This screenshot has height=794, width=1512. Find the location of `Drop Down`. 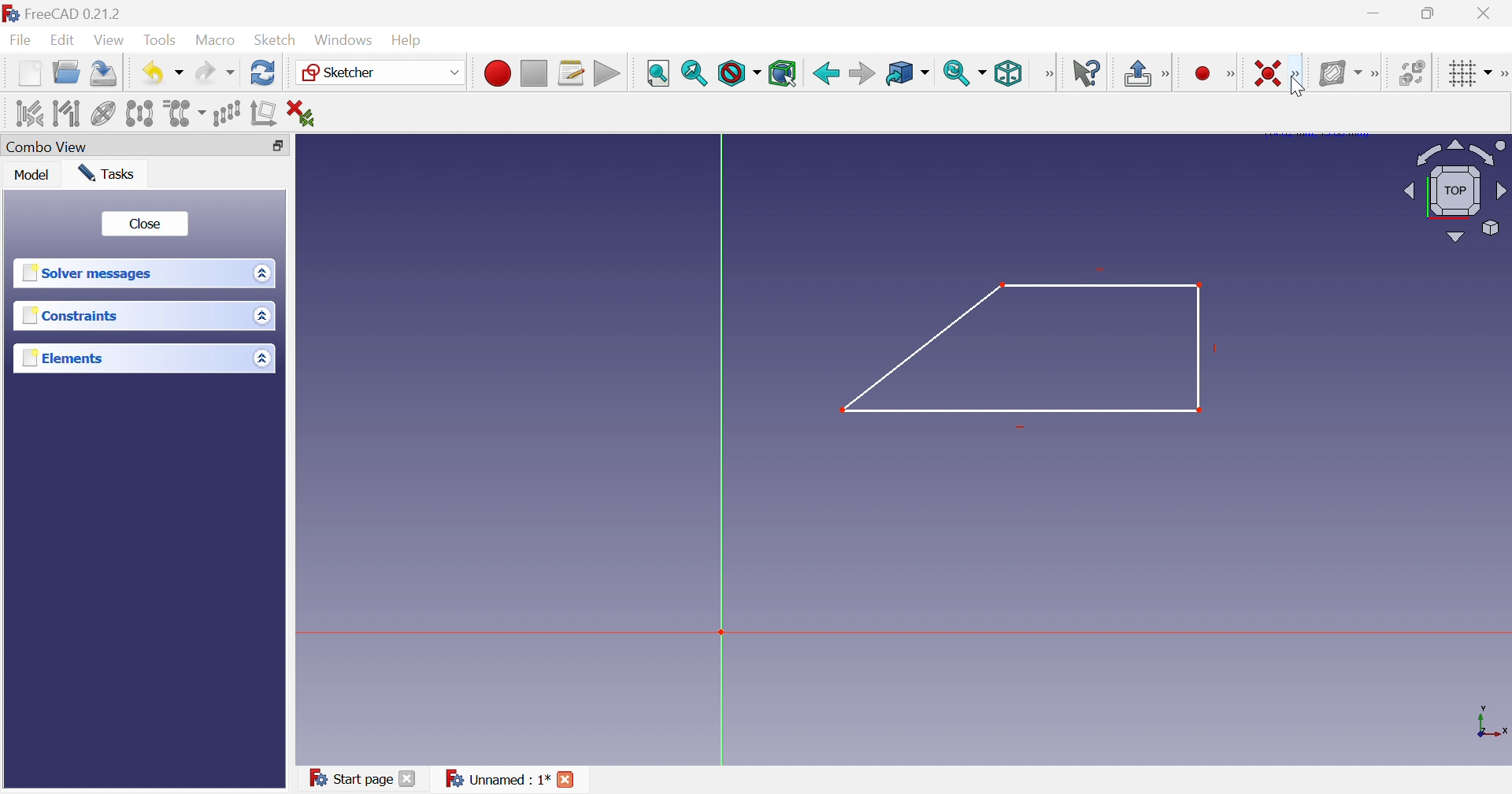

Drop Down is located at coordinates (452, 72).